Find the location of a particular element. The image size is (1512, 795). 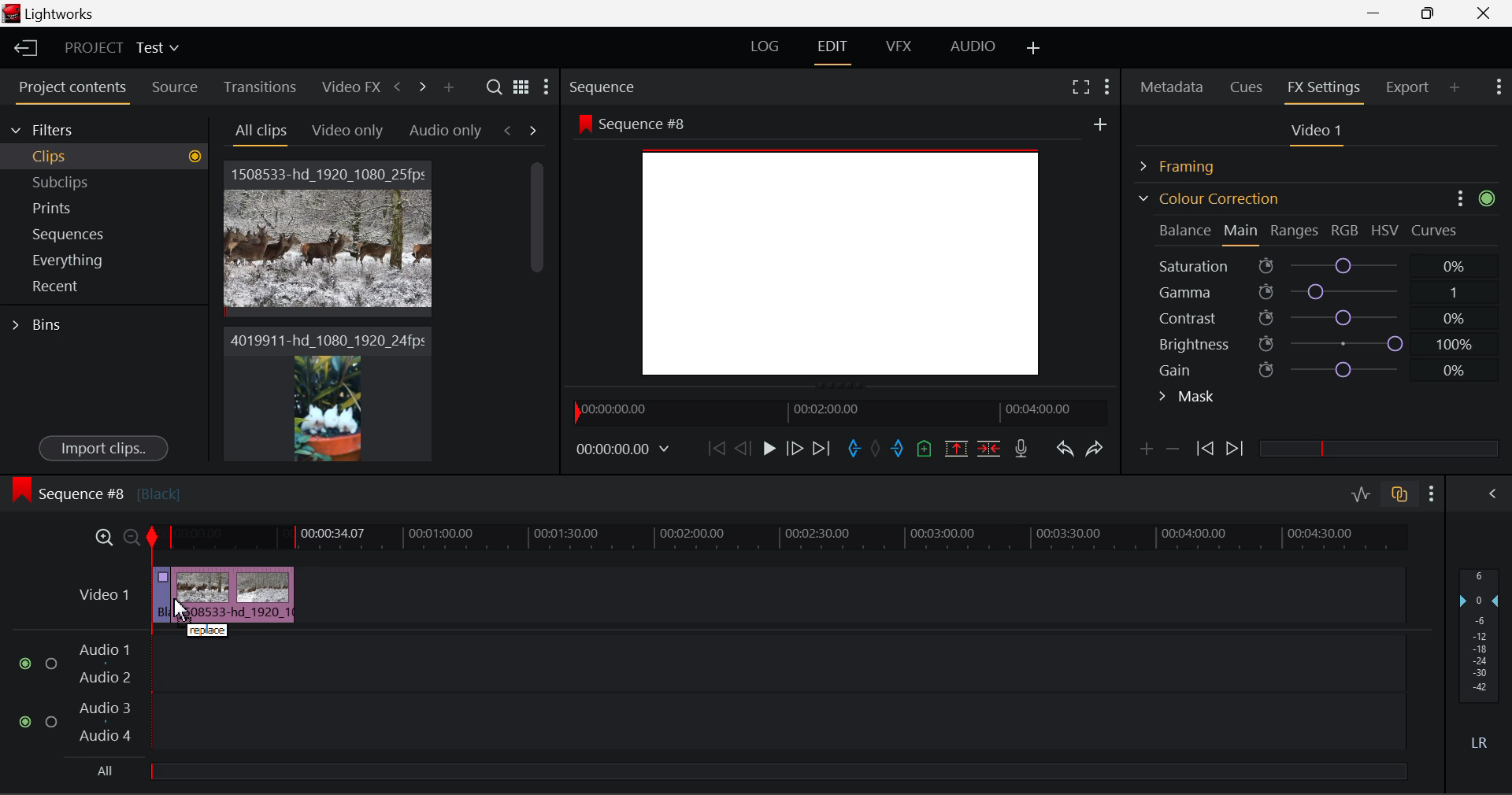

Clip 2 is located at coordinates (327, 408).